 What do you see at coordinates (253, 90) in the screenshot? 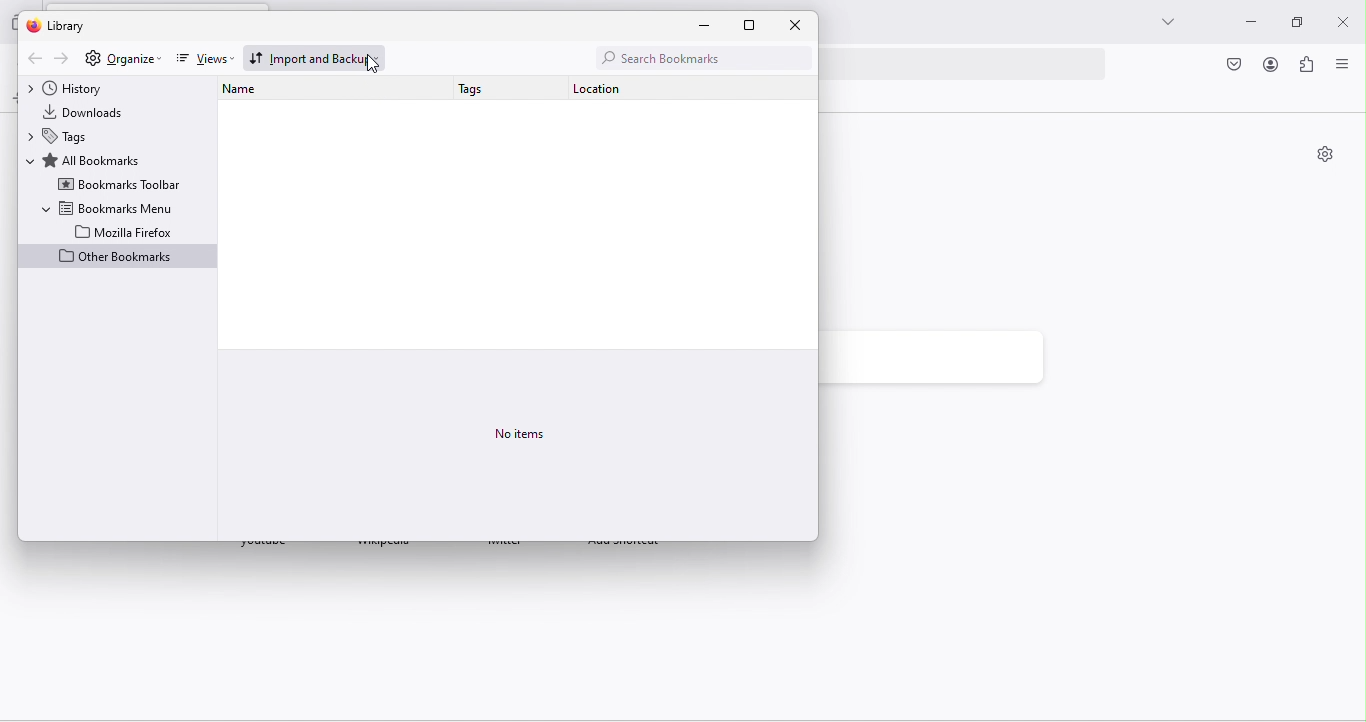
I see `name` at bounding box center [253, 90].